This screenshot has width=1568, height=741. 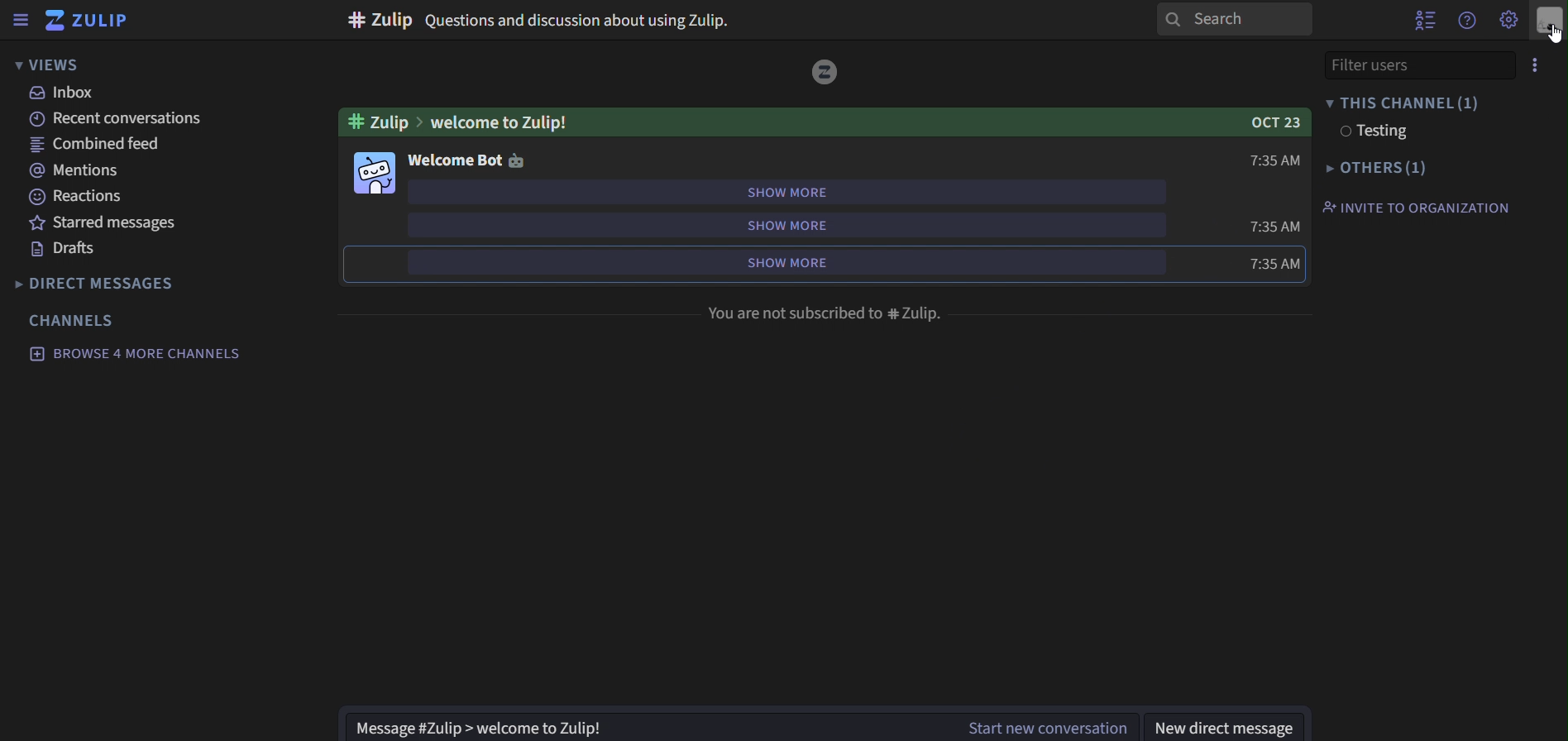 I want to click on new direct message, so click(x=1222, y=726).